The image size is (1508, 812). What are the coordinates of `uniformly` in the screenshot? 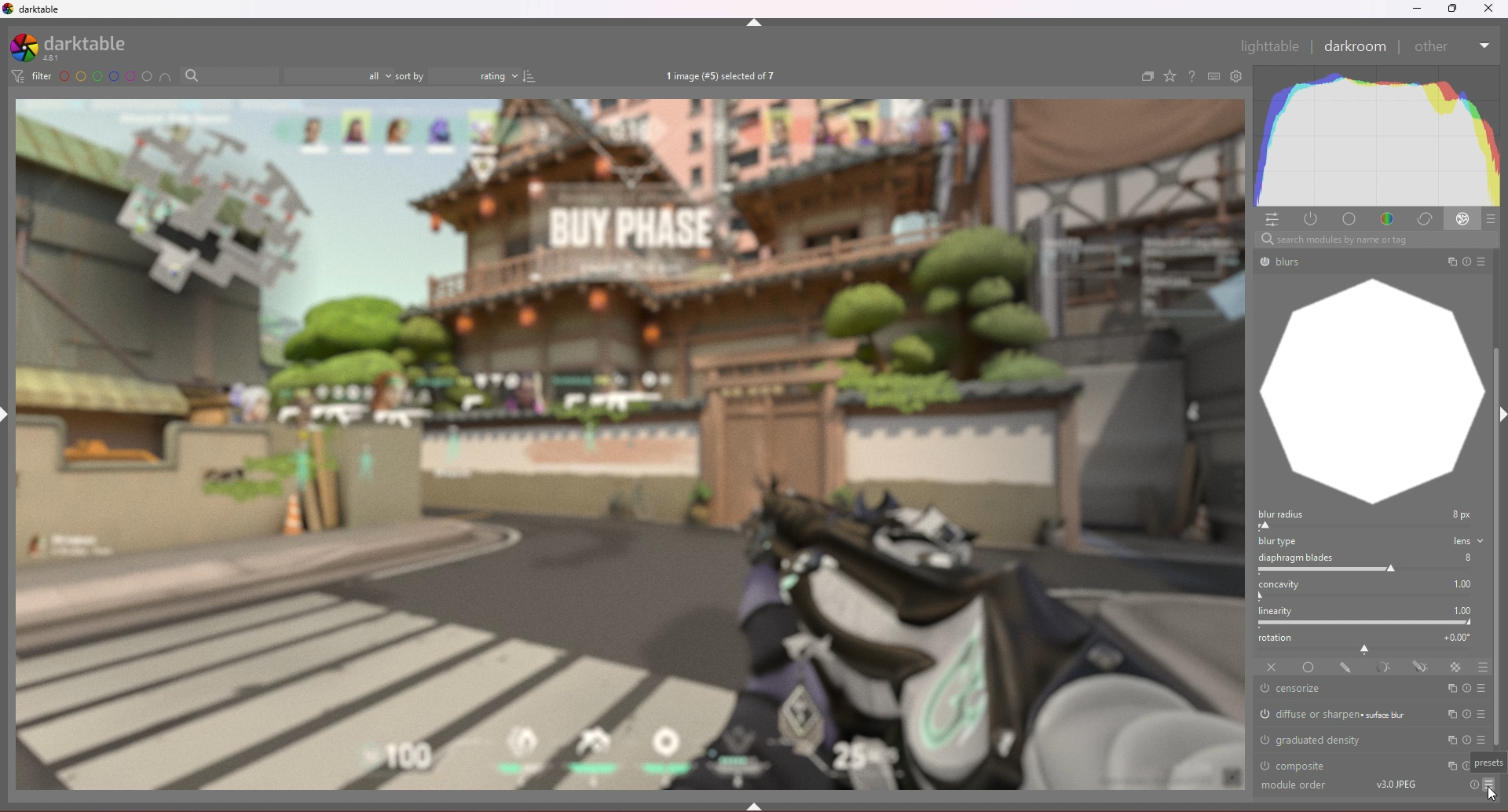 It's located at (1309, 668).